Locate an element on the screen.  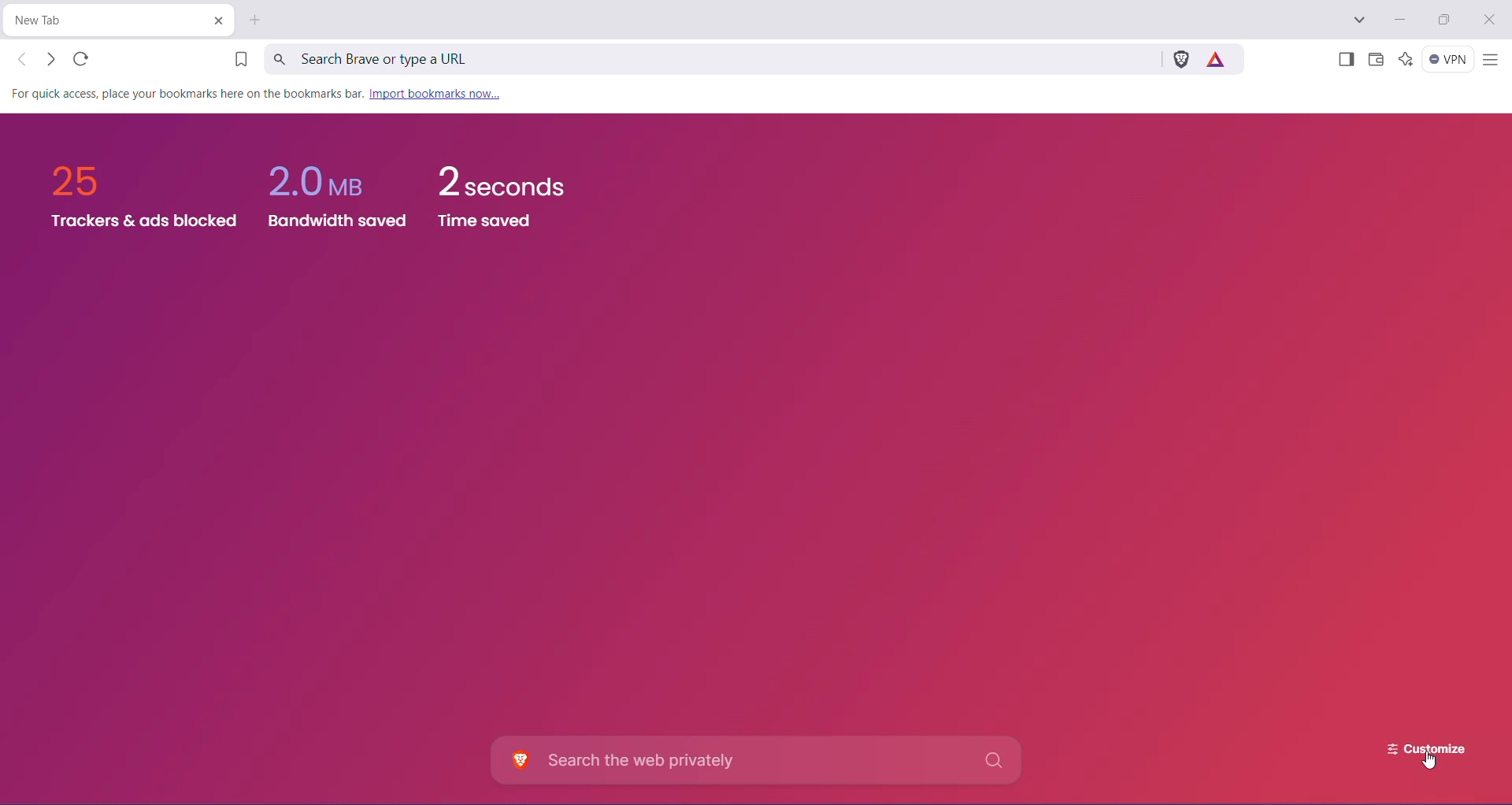
Brave Wallet is located at coordinates (1376, 61).